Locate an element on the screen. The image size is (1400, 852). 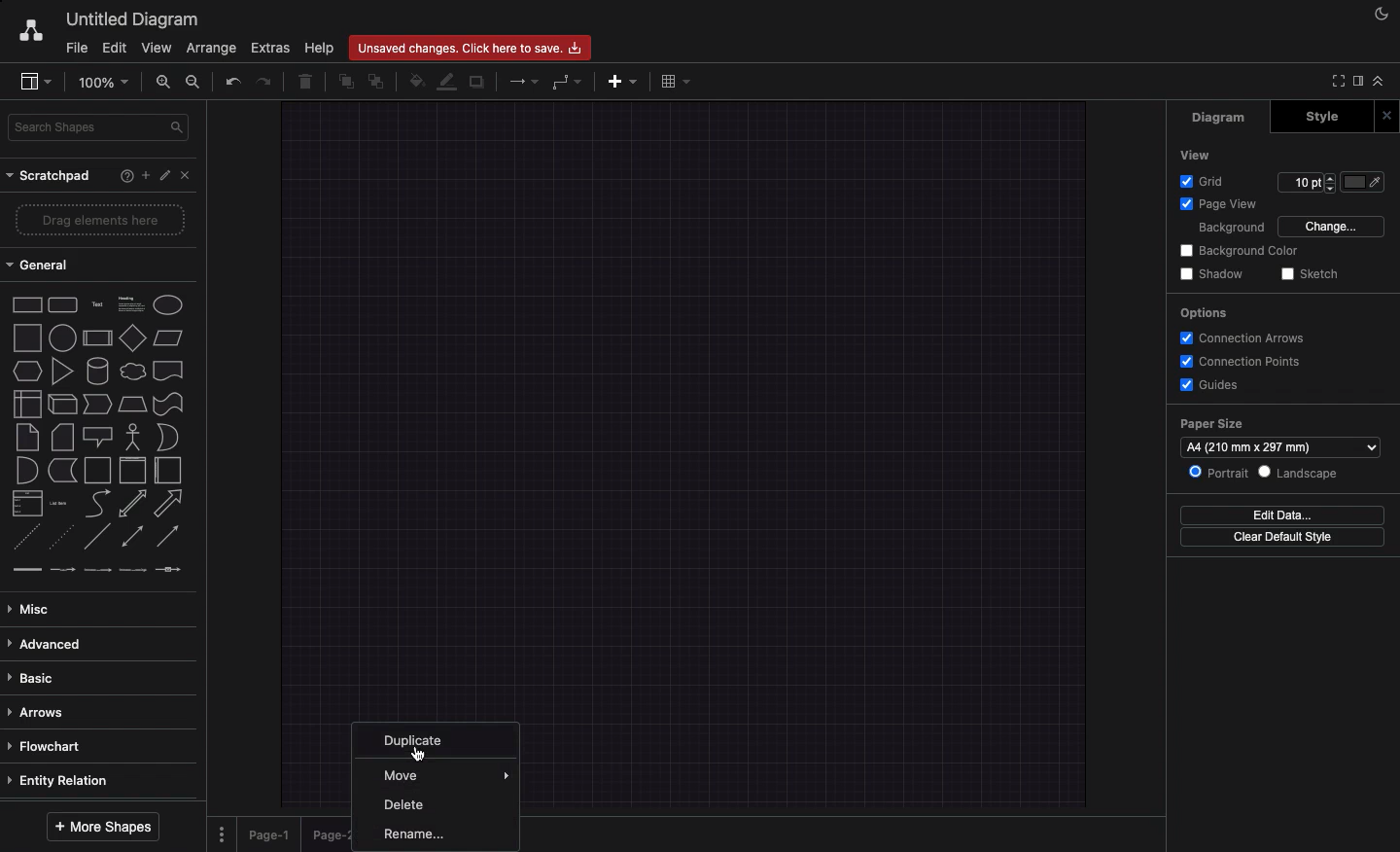
Arrows is located at coordinates (40, 713).